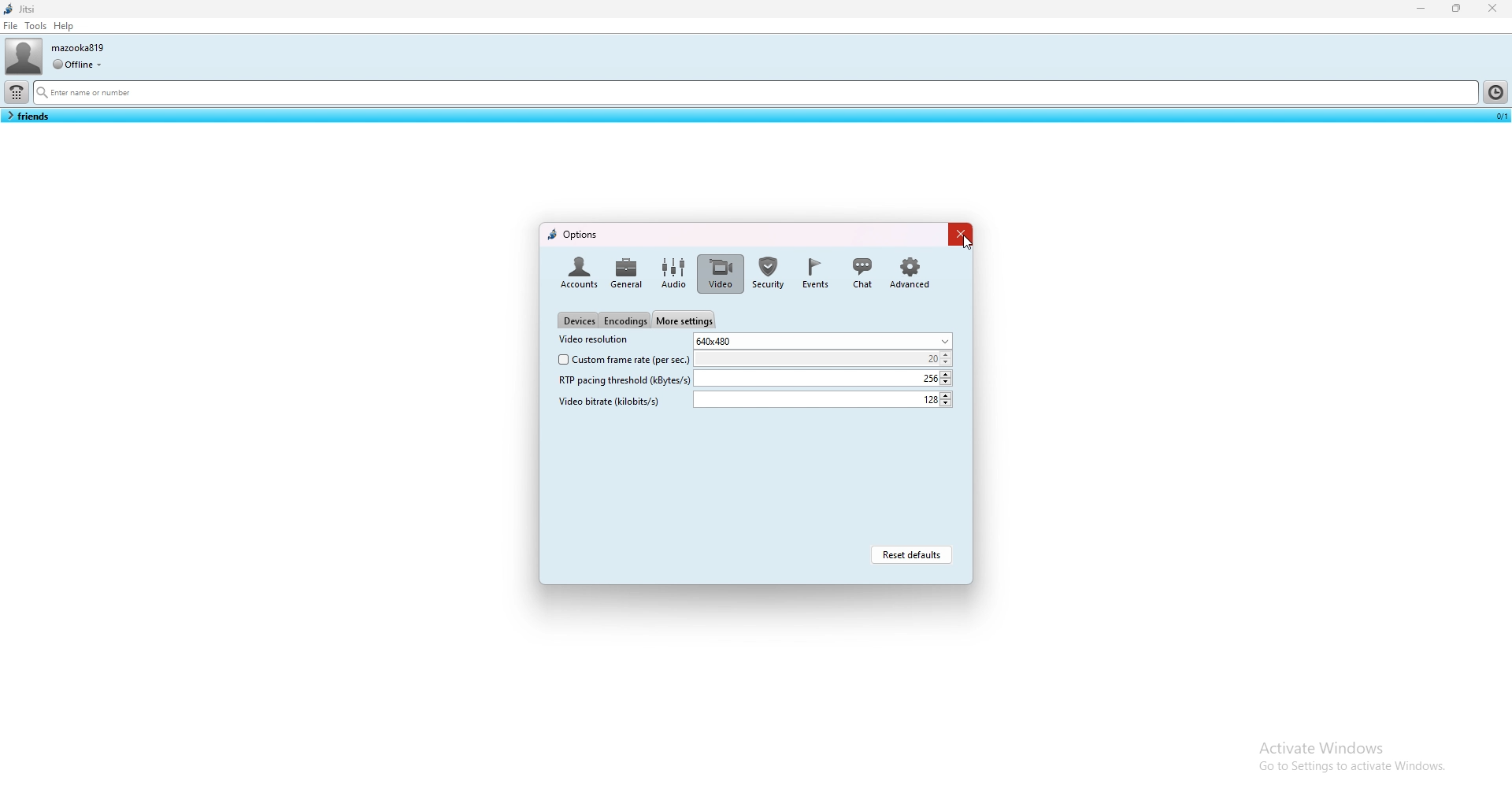 Image resolution: width=1512 pixels, height=811 pixels. I want to click on user status, so click(77, 64).